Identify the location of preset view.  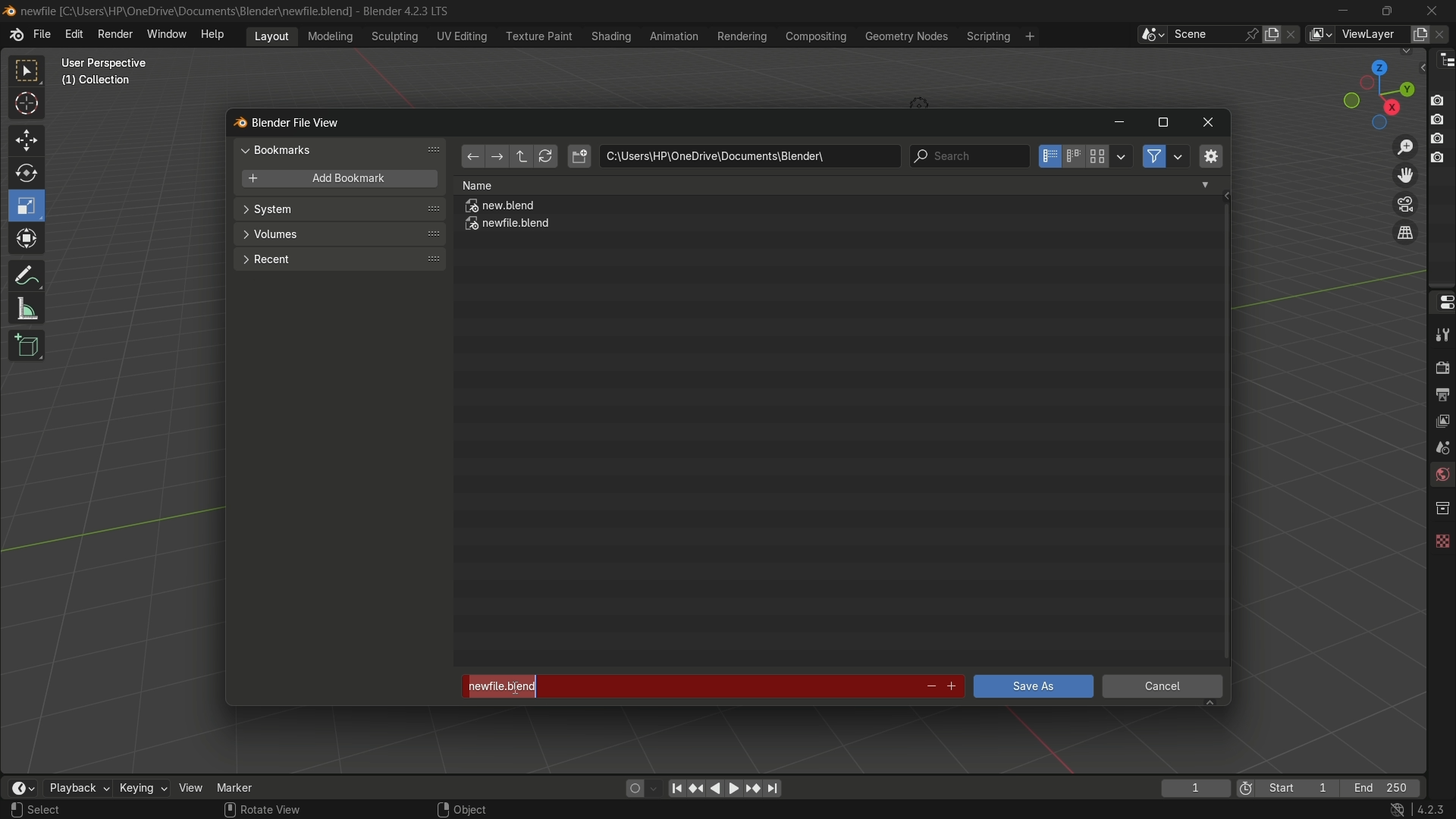
(1374, 91).